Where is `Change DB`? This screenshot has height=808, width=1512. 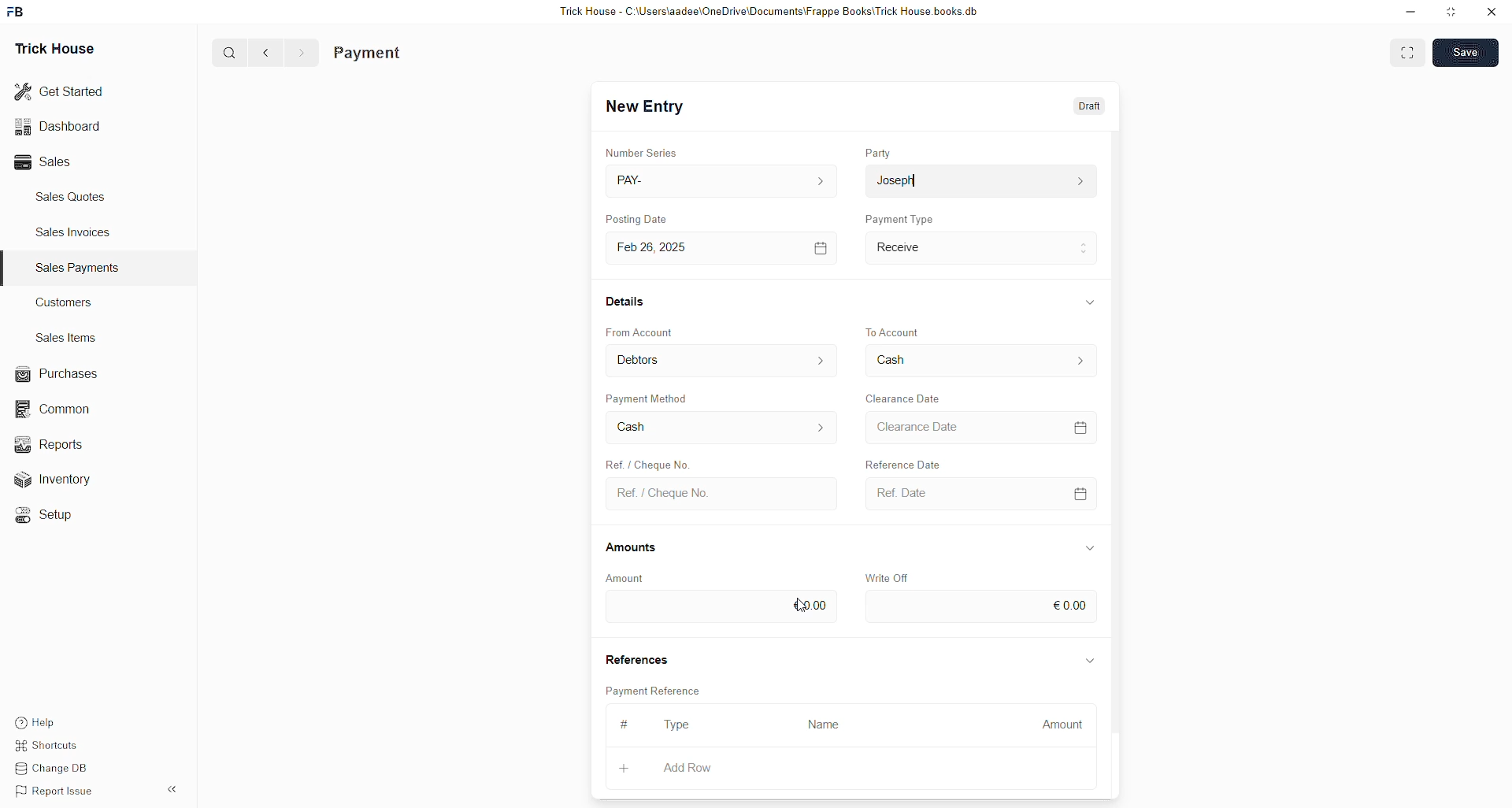 Change DB is located at coordinates (57, 767).